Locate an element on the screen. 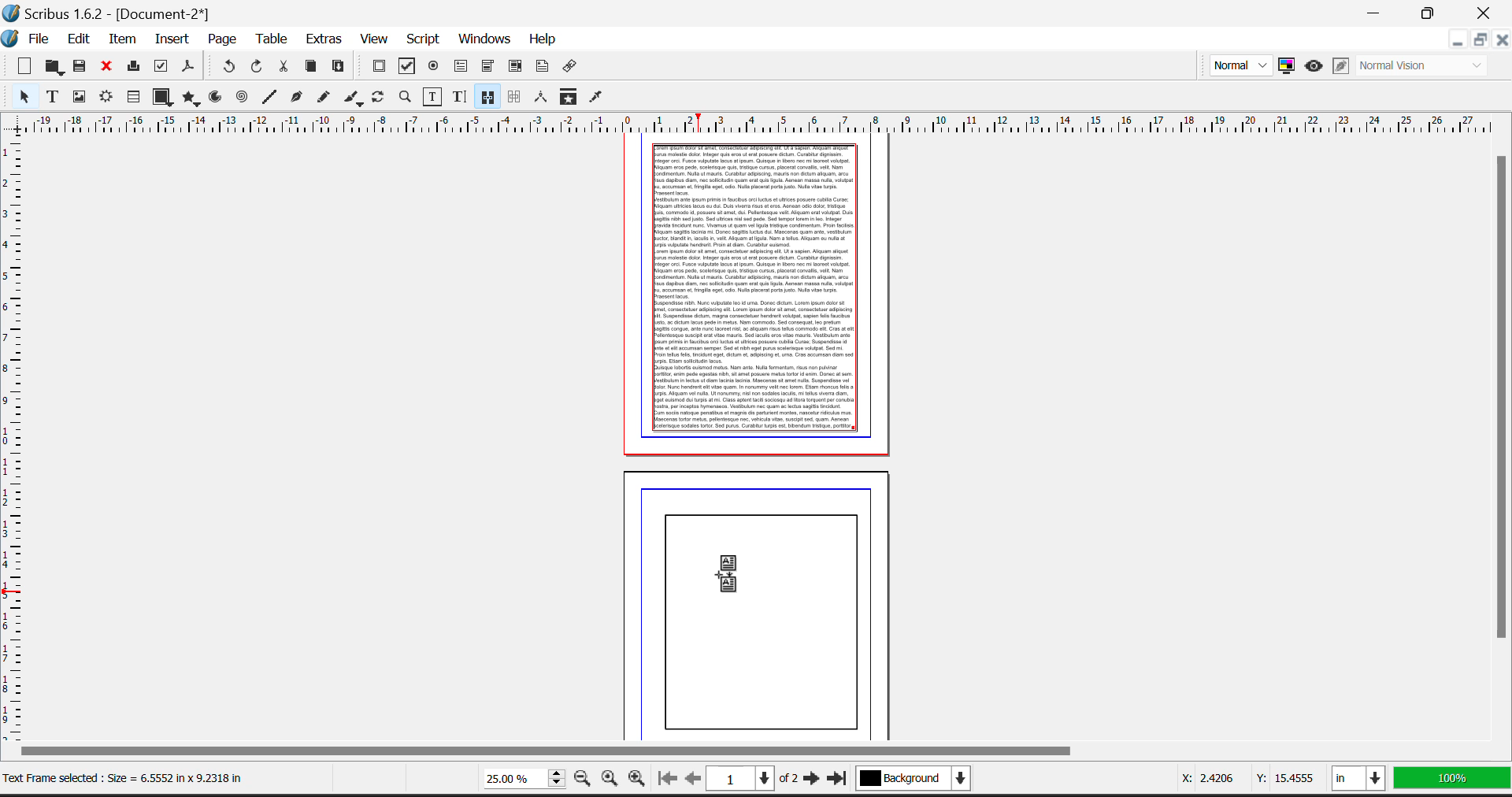 This screenshot has height=797, width=1512. Text Frame Selected : Size = 6.5552 in x 9.2318 in is located at coordinates (125, 778).